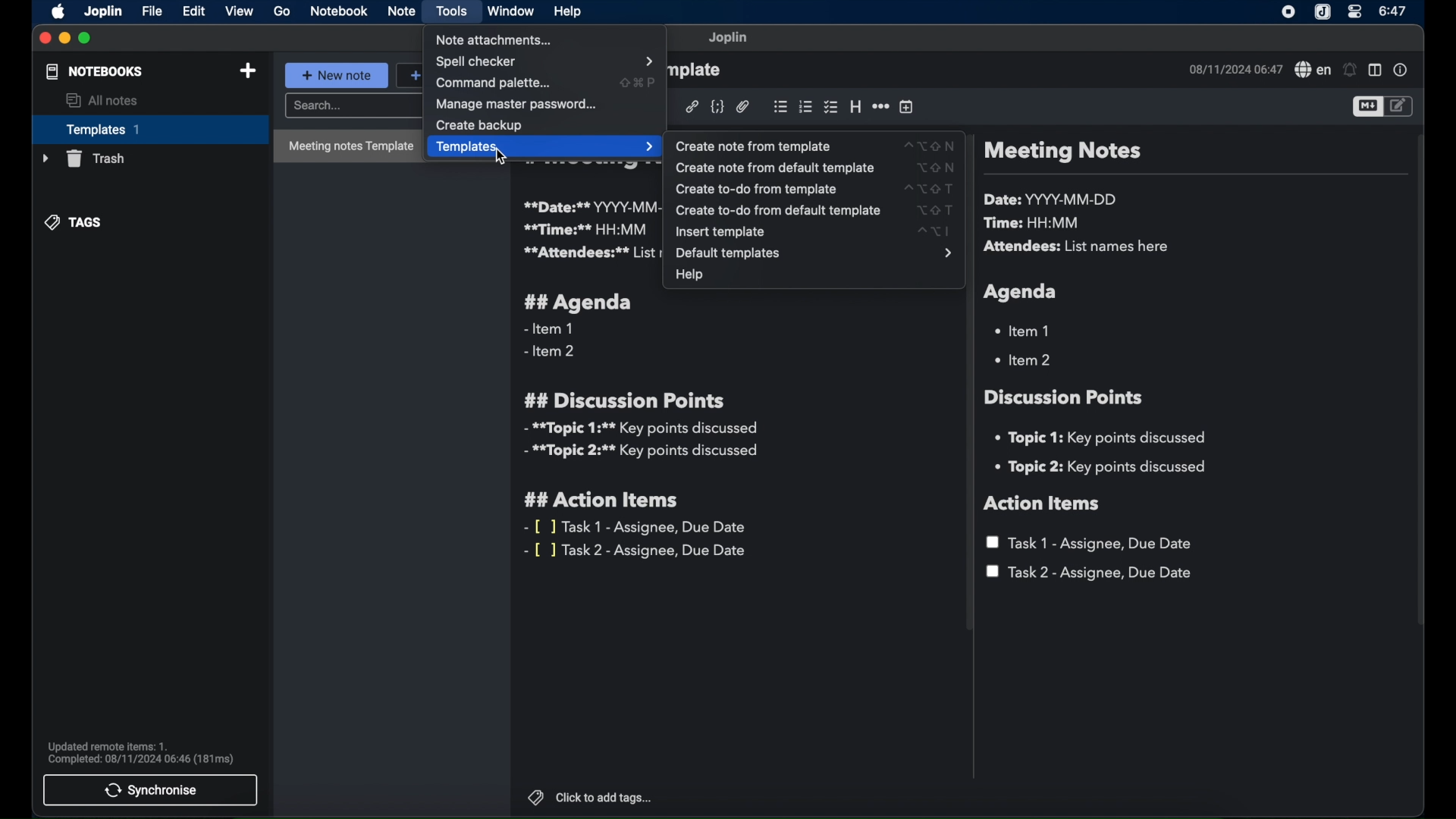 Image resolution: width=1456 pixels, height=819 pixels. Describe the element at coordinates (148, 129) in the screenshot. I see `templates 1` at that location.